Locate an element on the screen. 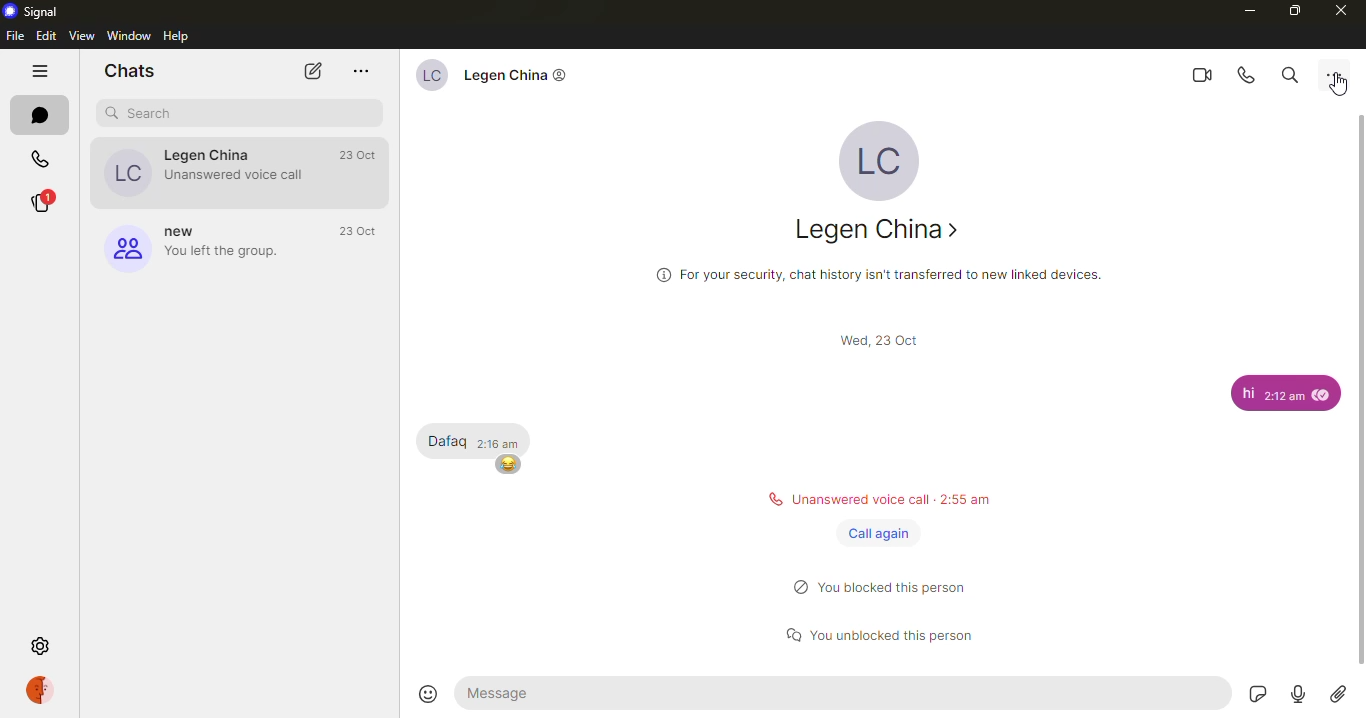  status message is located at coordinates (877, 499).